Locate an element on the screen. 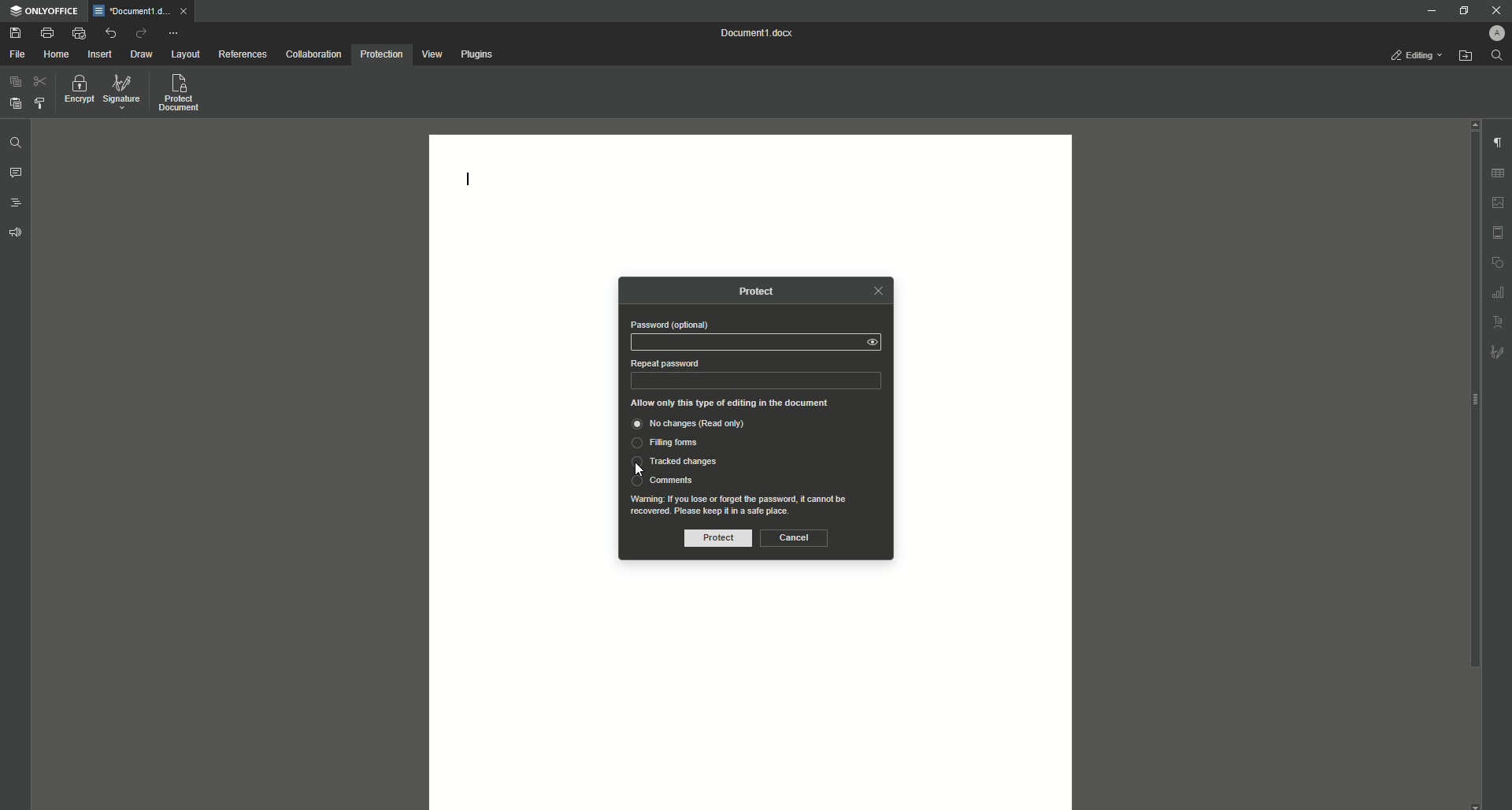 The height and width of the screenshot is (810, 1512). Layout is located at coordinates (183, 54).